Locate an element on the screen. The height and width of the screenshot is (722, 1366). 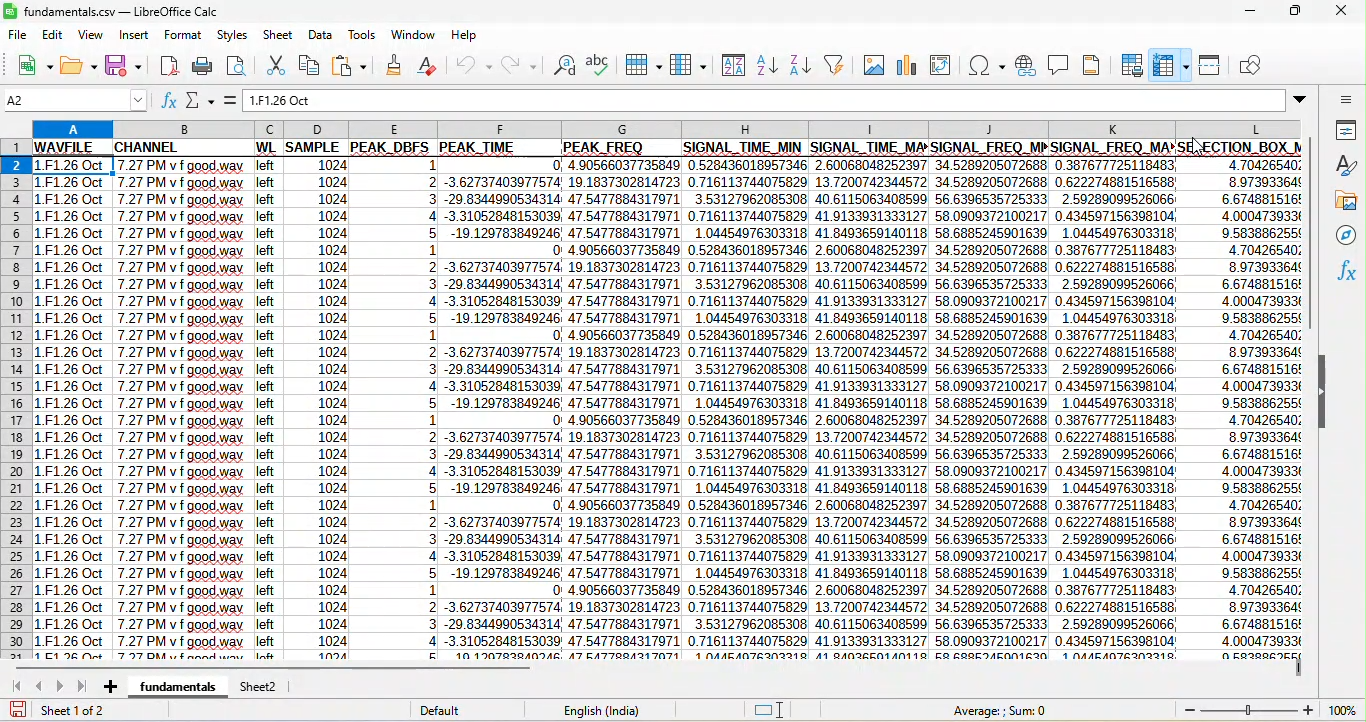
function wizard is located at coordinates (170, 102).